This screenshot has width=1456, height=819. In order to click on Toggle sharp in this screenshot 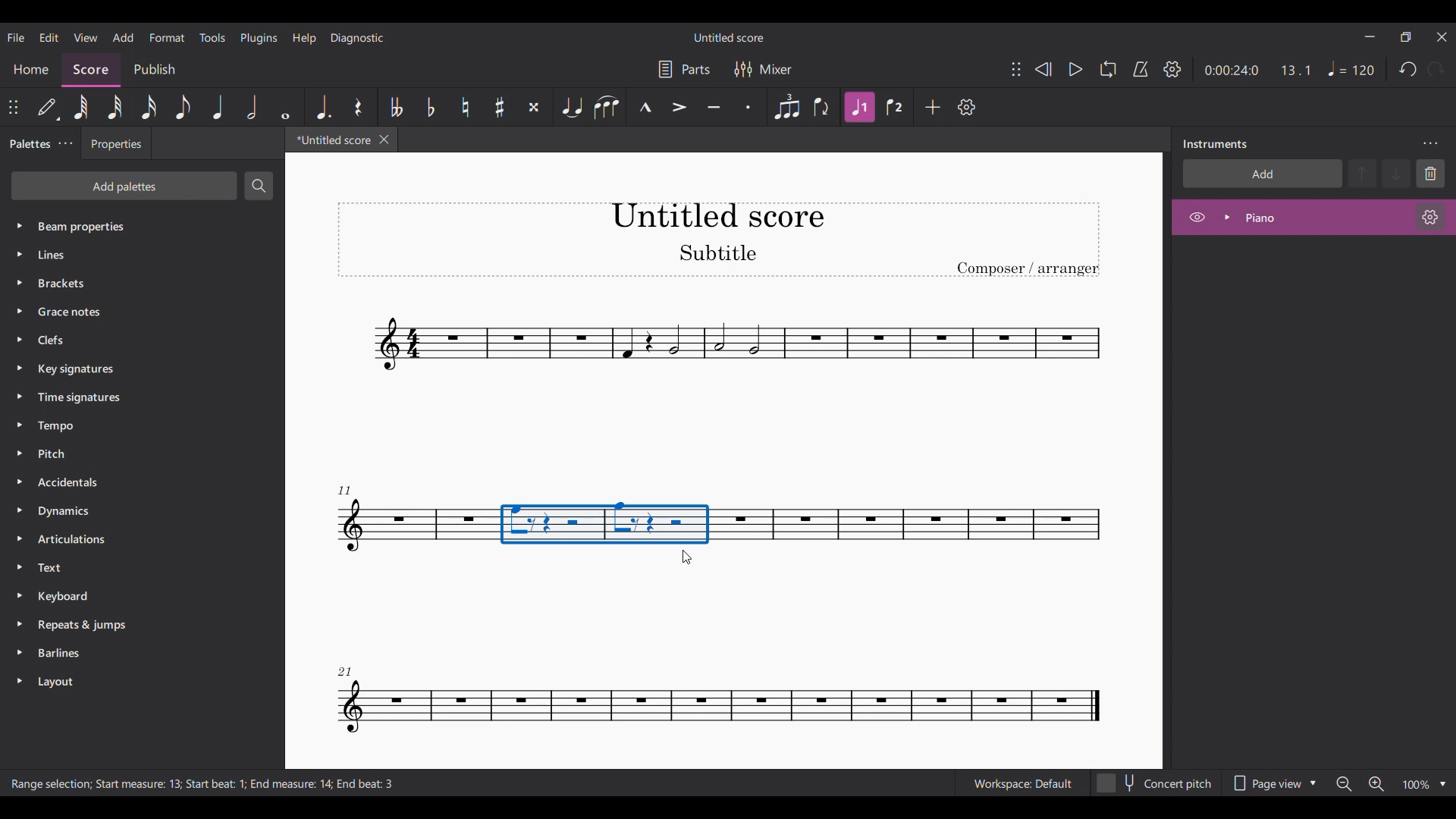, I will do `click(500, 107)`.